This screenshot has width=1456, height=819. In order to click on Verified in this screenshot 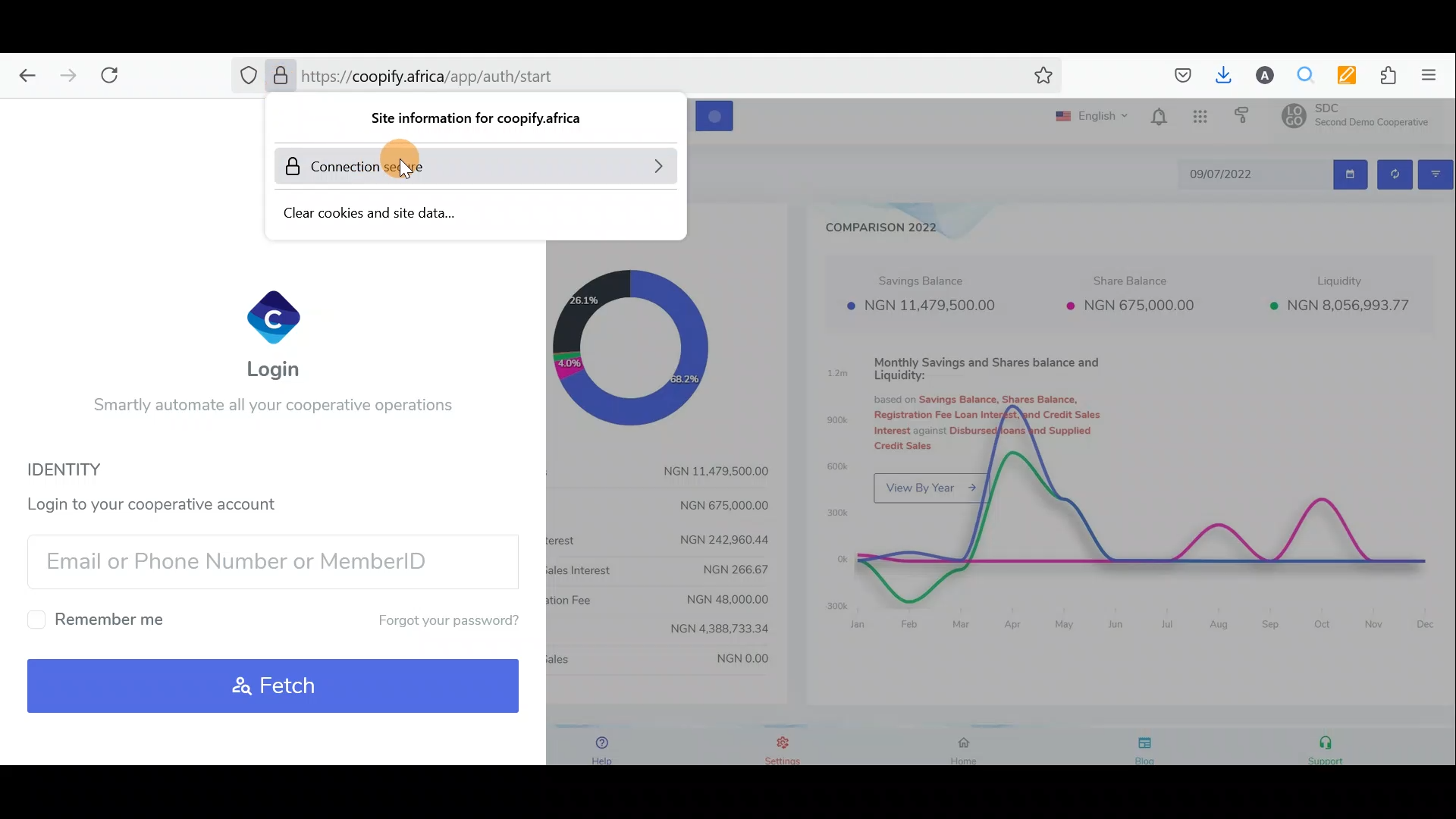, I will do `click(279, 77)`.